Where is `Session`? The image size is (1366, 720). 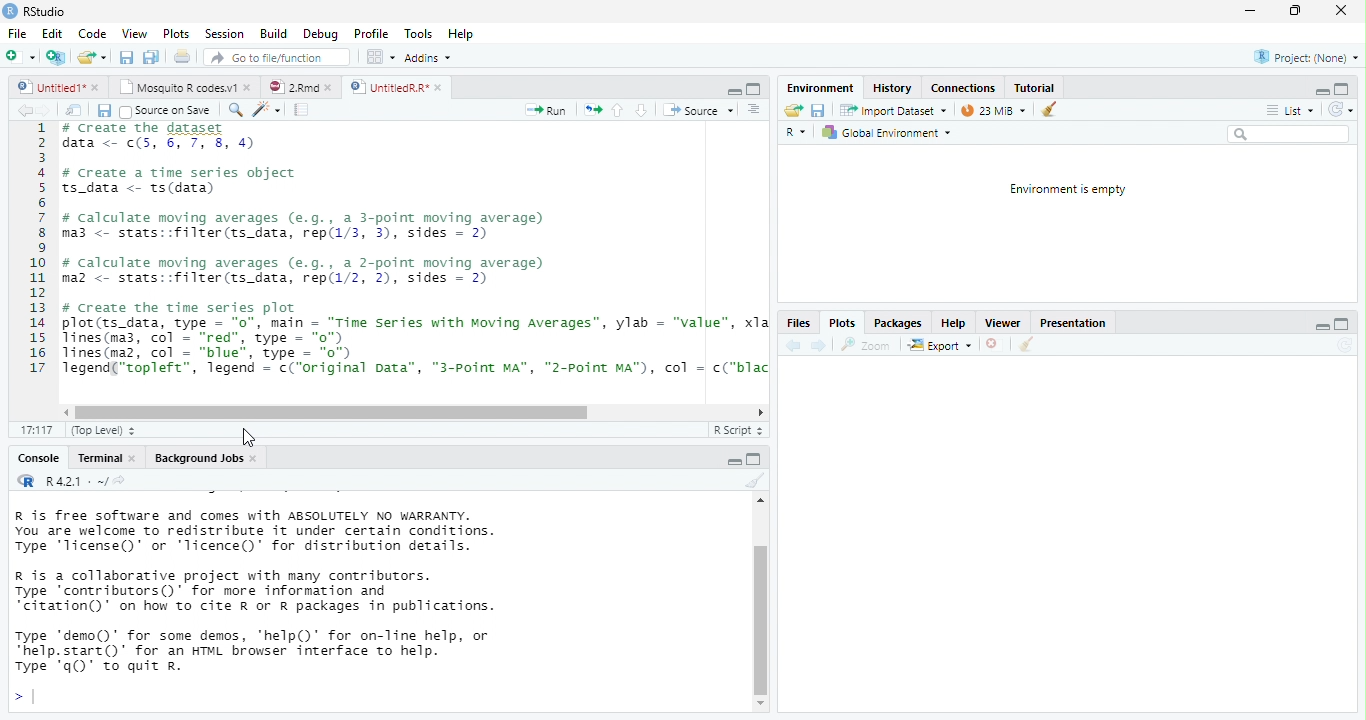
Session is located at coordinates (224, 33).